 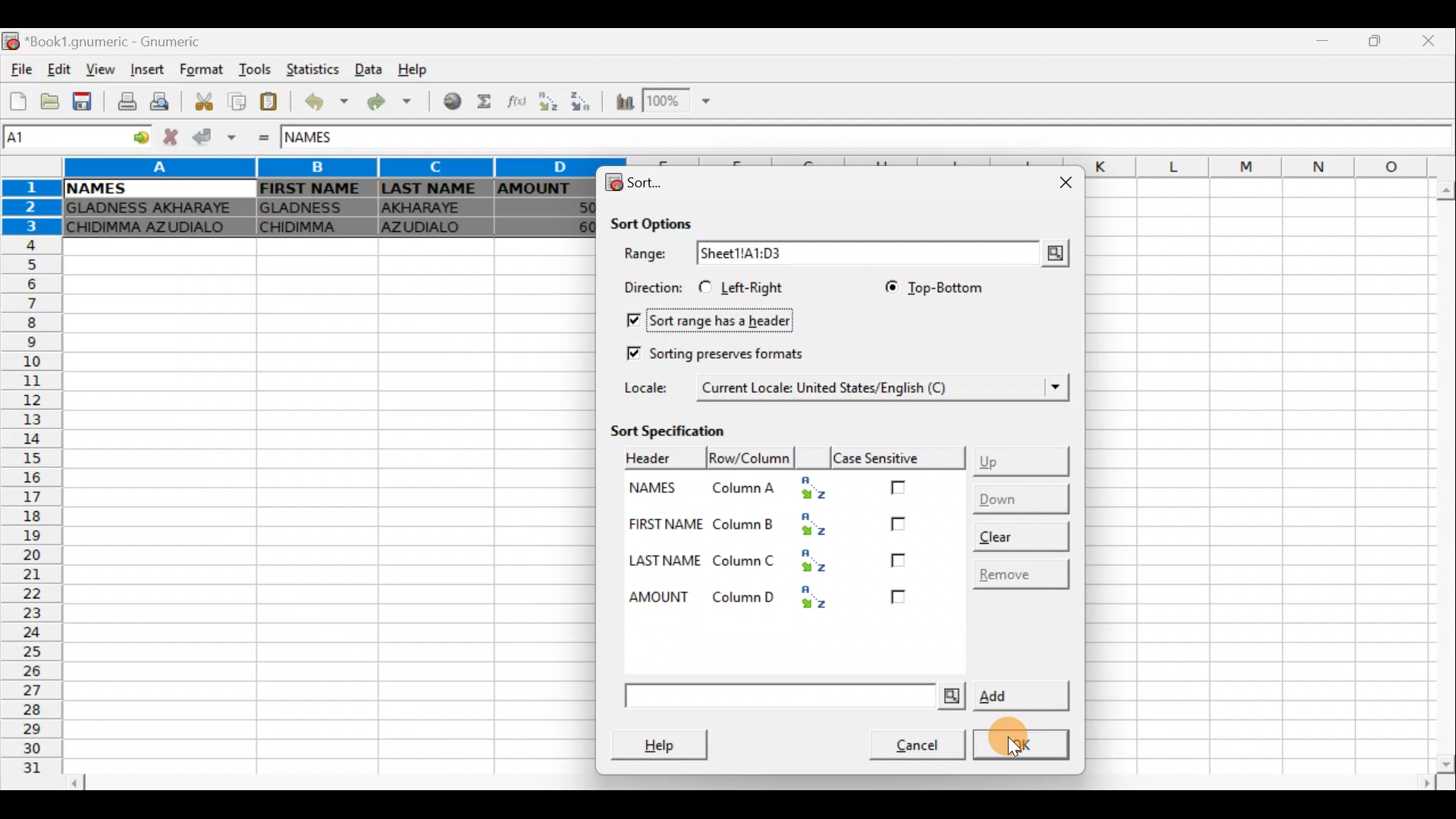 What do you see at coordinates (265, 140) in the screenshot?
I see `Enter formula` at bounding box center [265, 140].